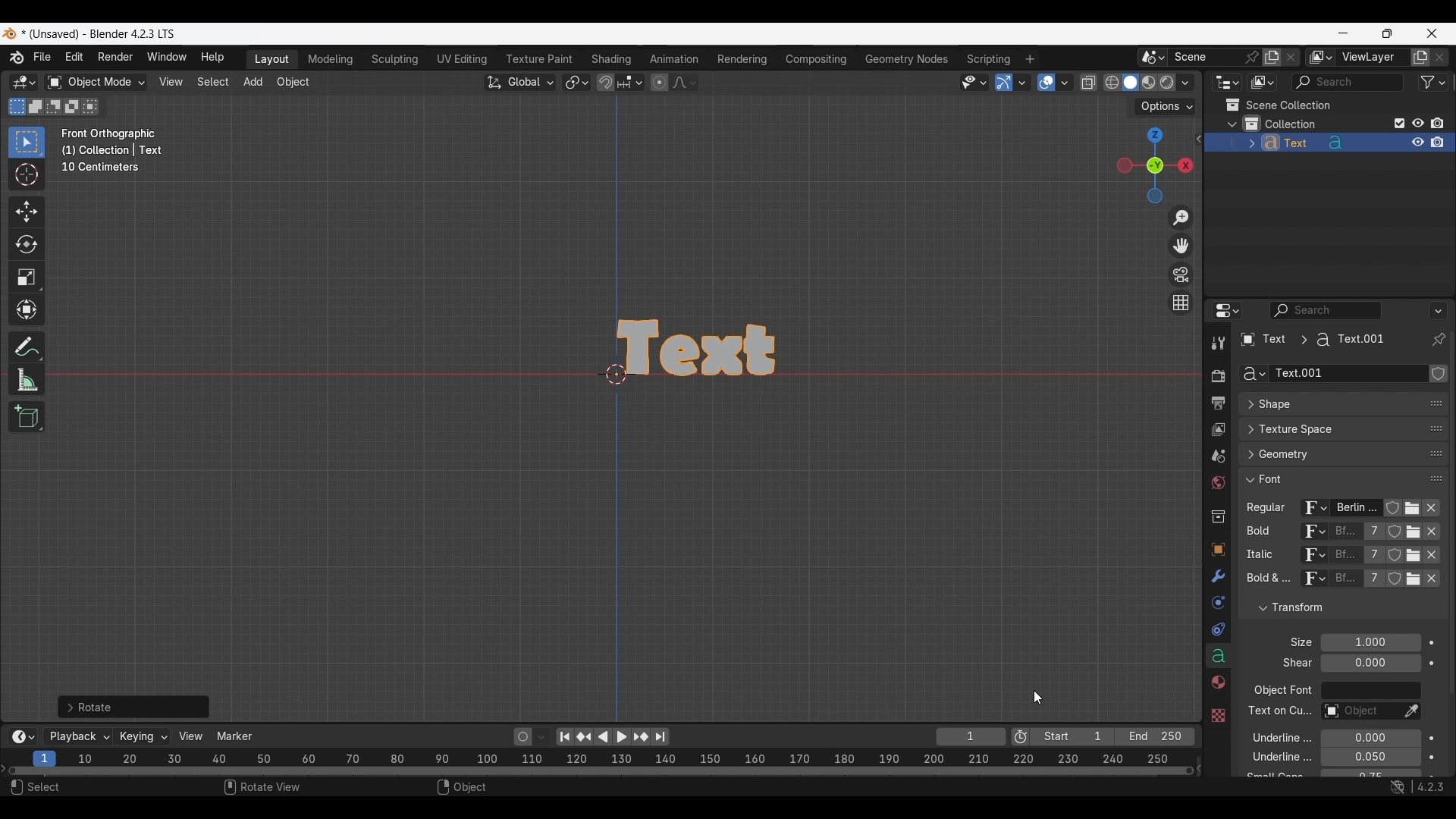 Image resolution: width=1456 pixels, height=819 pixels. Describe the element at coordinates (1181, 274) in the screenshot. I see `Toggle camera view` at that location.